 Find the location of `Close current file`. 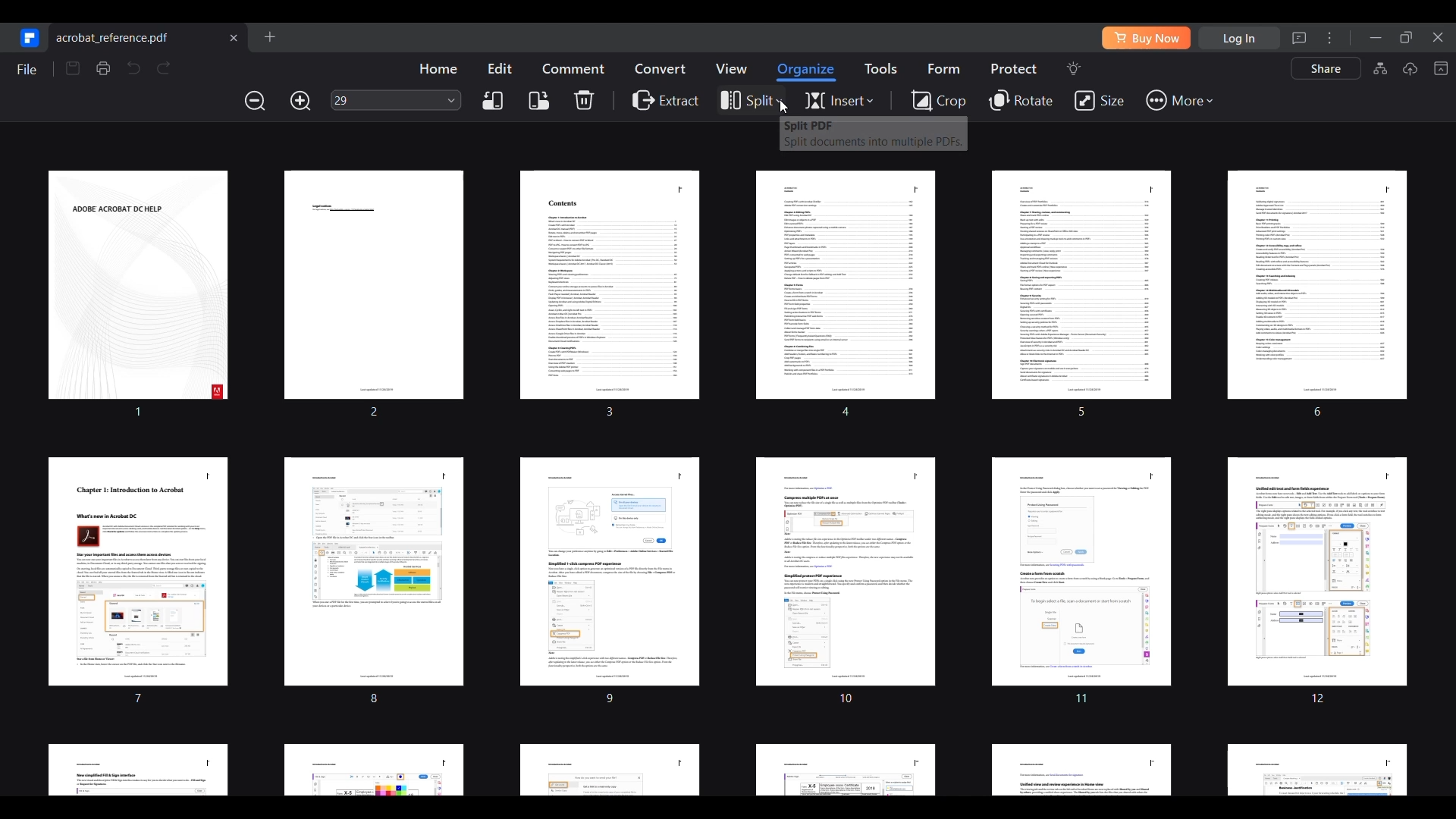

Close current file is located at coordinates (233, 37).